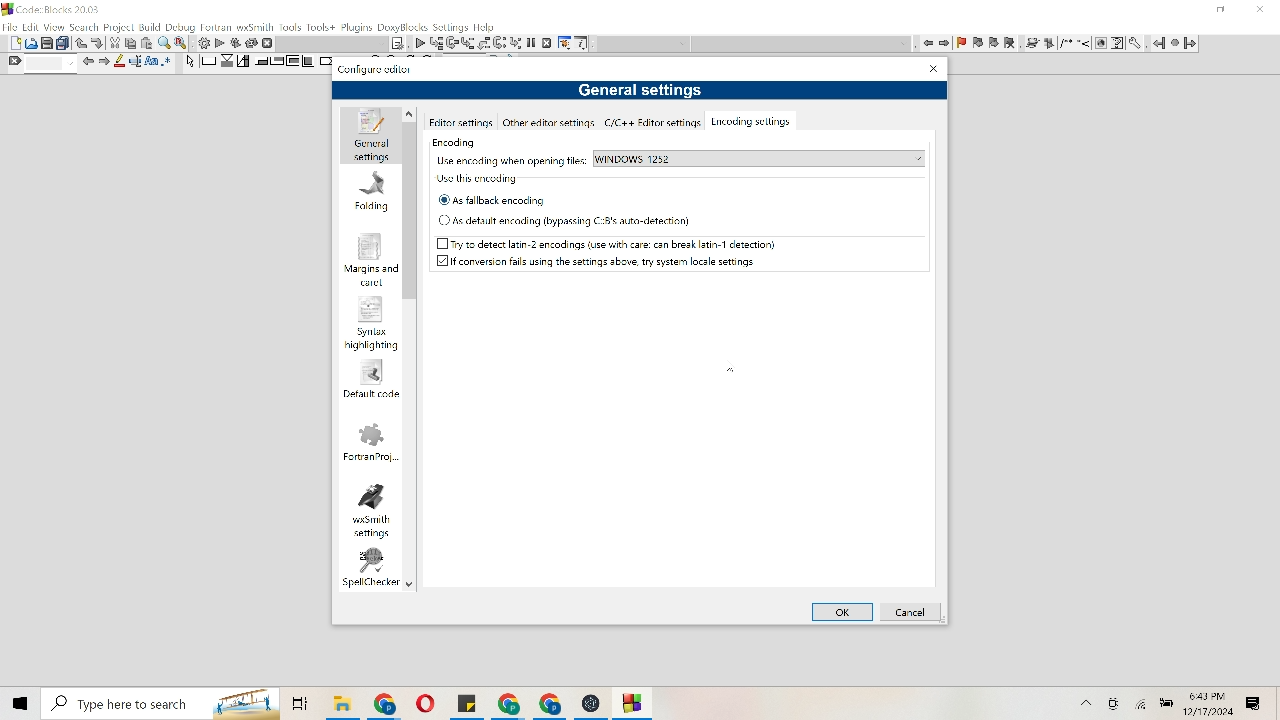  I want to click on File, so click(342, 703).